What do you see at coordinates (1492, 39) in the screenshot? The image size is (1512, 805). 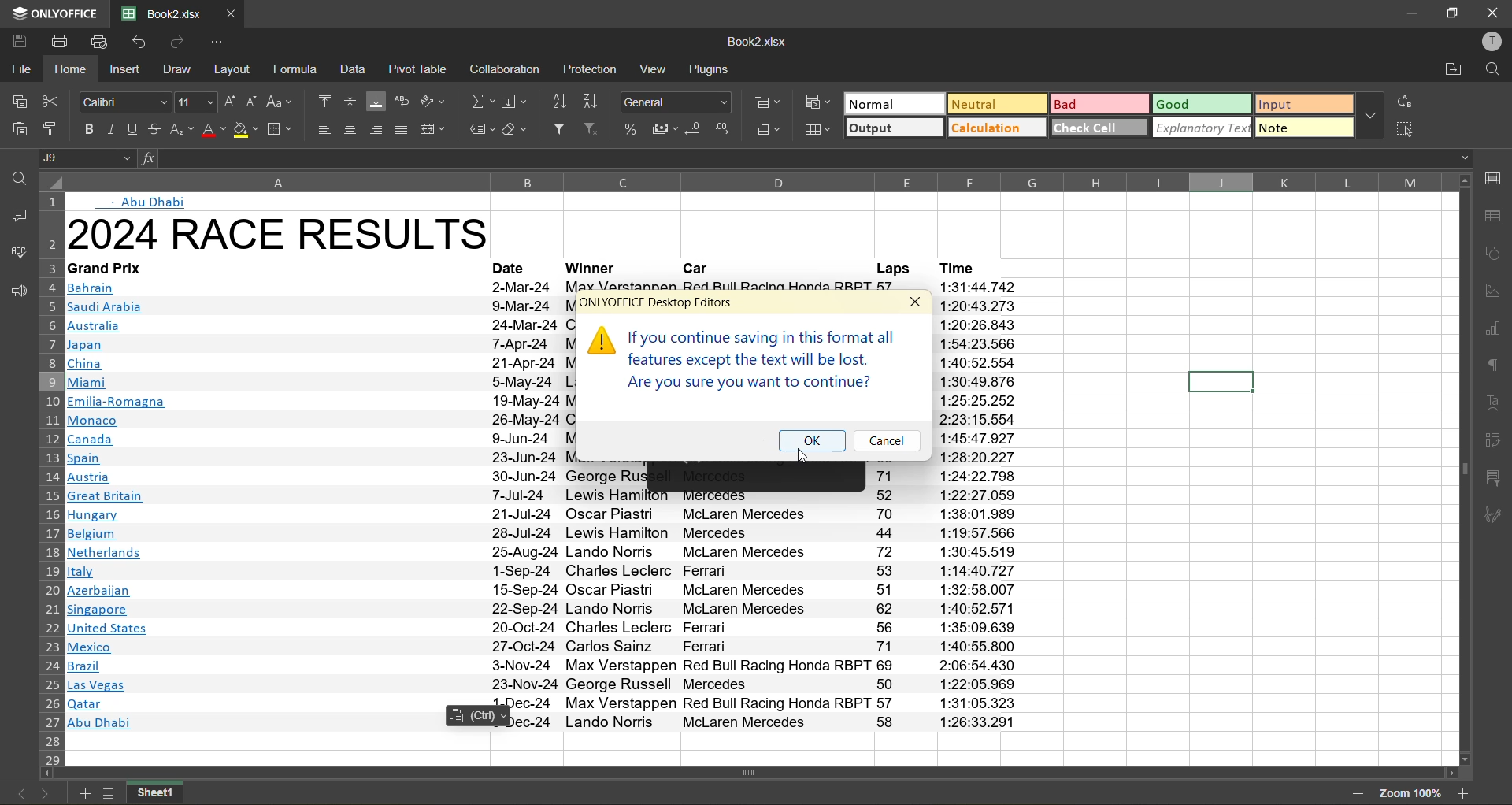 I see `profile` at bounding box center [1492, 39].